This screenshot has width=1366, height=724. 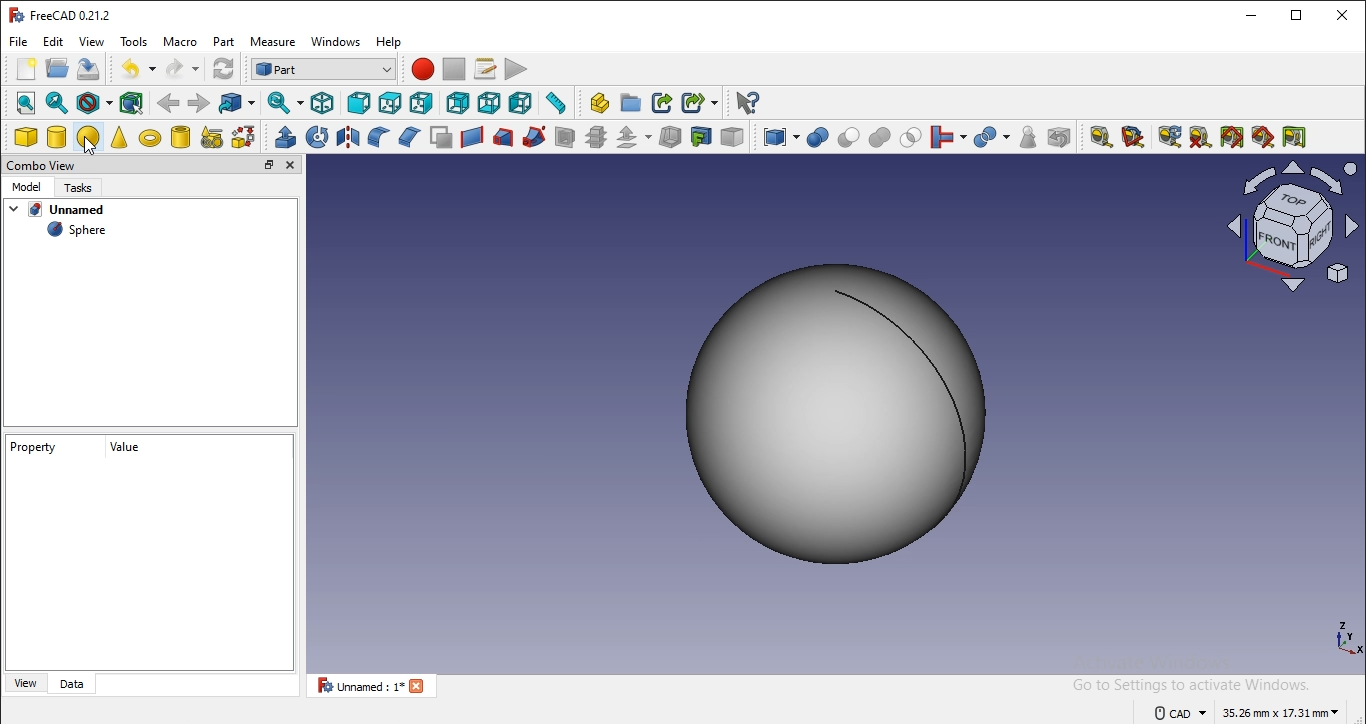 What do you see at coordinates (320, 101) in the screenshot?
I see `isometric view` at bounding box center [320, 101].